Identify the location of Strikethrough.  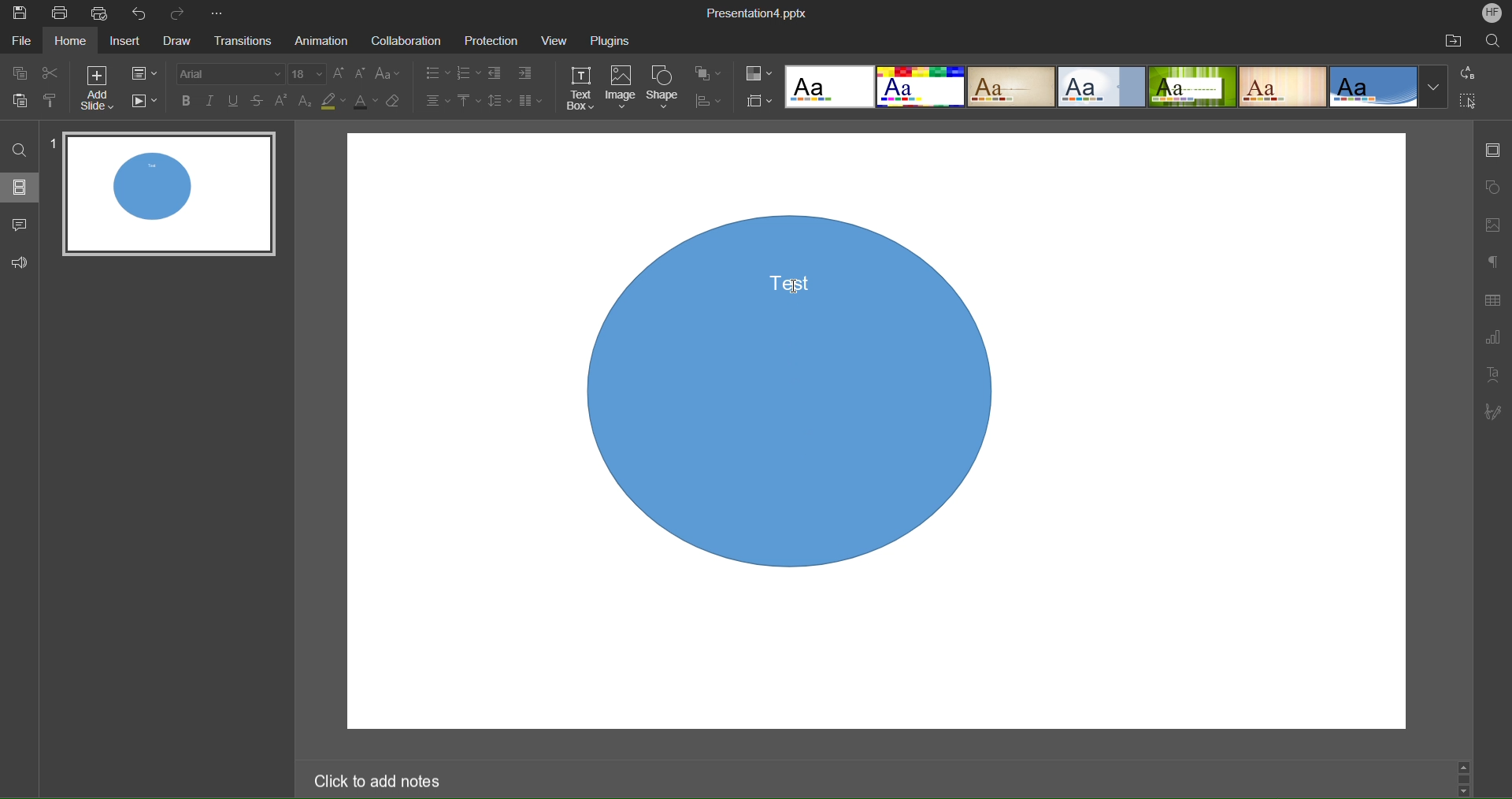
(258, 102).